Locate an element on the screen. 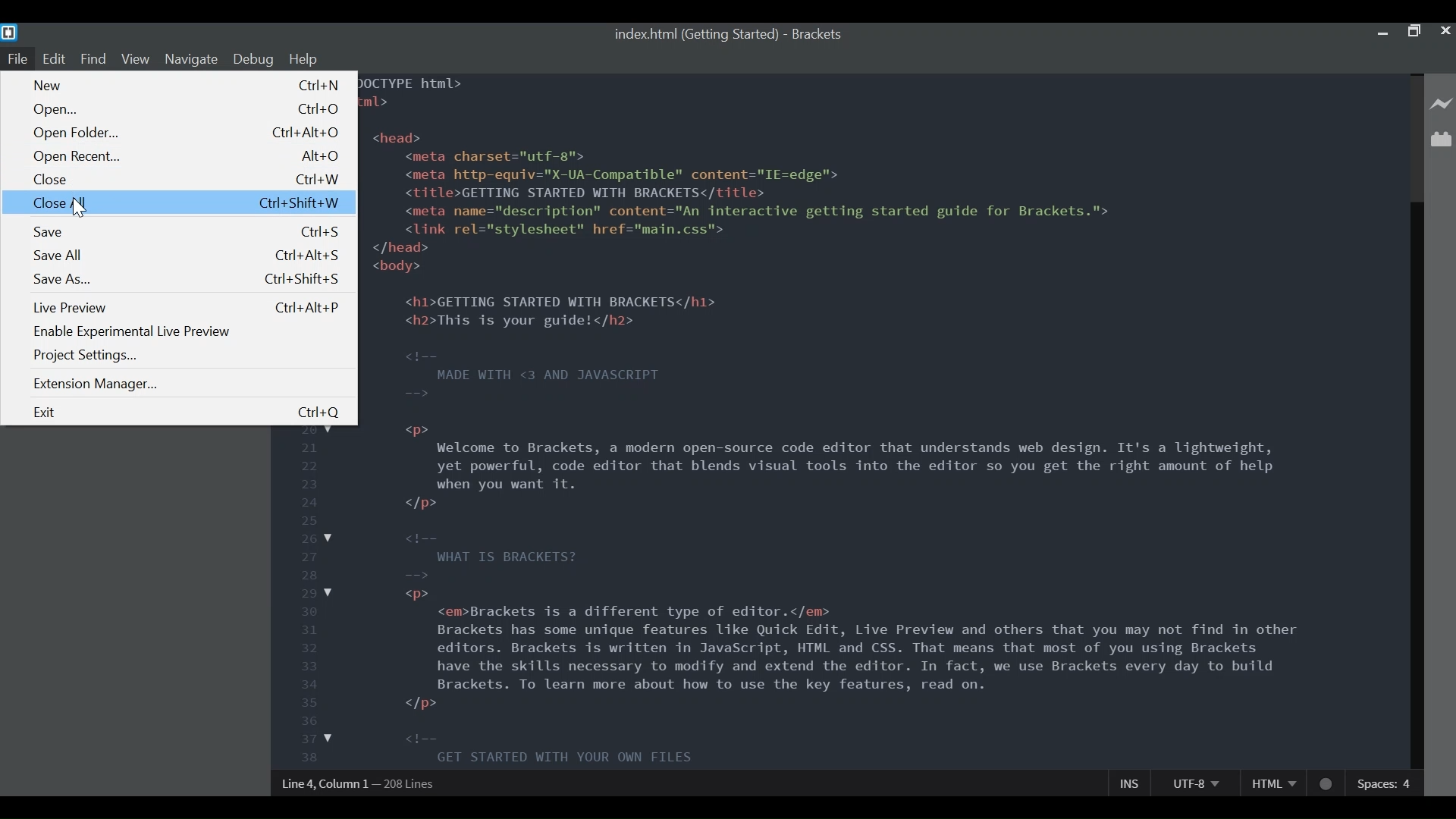 This screenshot has width=1456, height=819. Navigate is located at coordinates (190, 60).